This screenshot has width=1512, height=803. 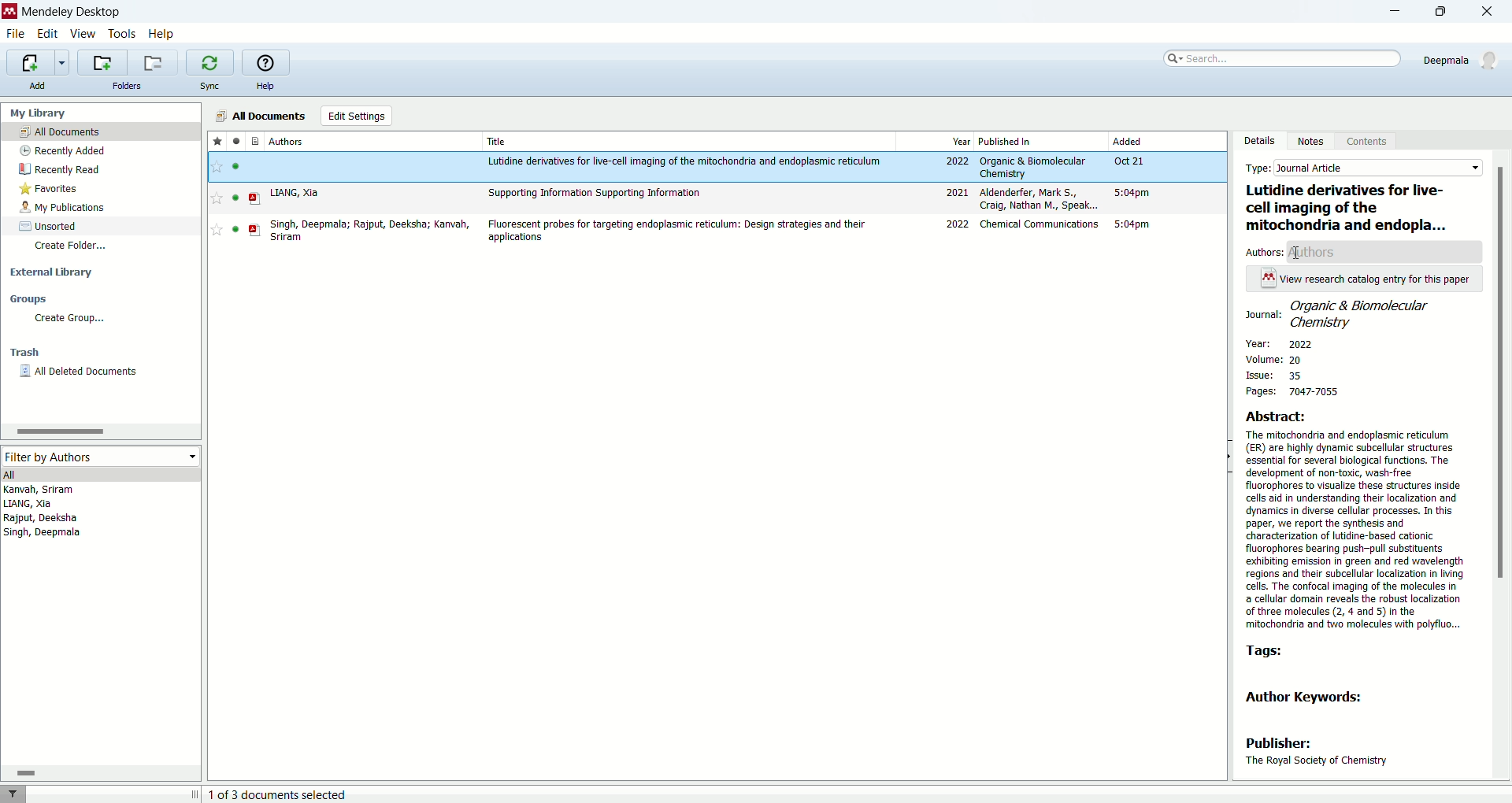 What do you see at coordinates (679, 231) in the screenshot?
I see `Flourescent probes for targeting endoplasmic reticulum: Design strategies and their applications` at bounding box center [679, 231].